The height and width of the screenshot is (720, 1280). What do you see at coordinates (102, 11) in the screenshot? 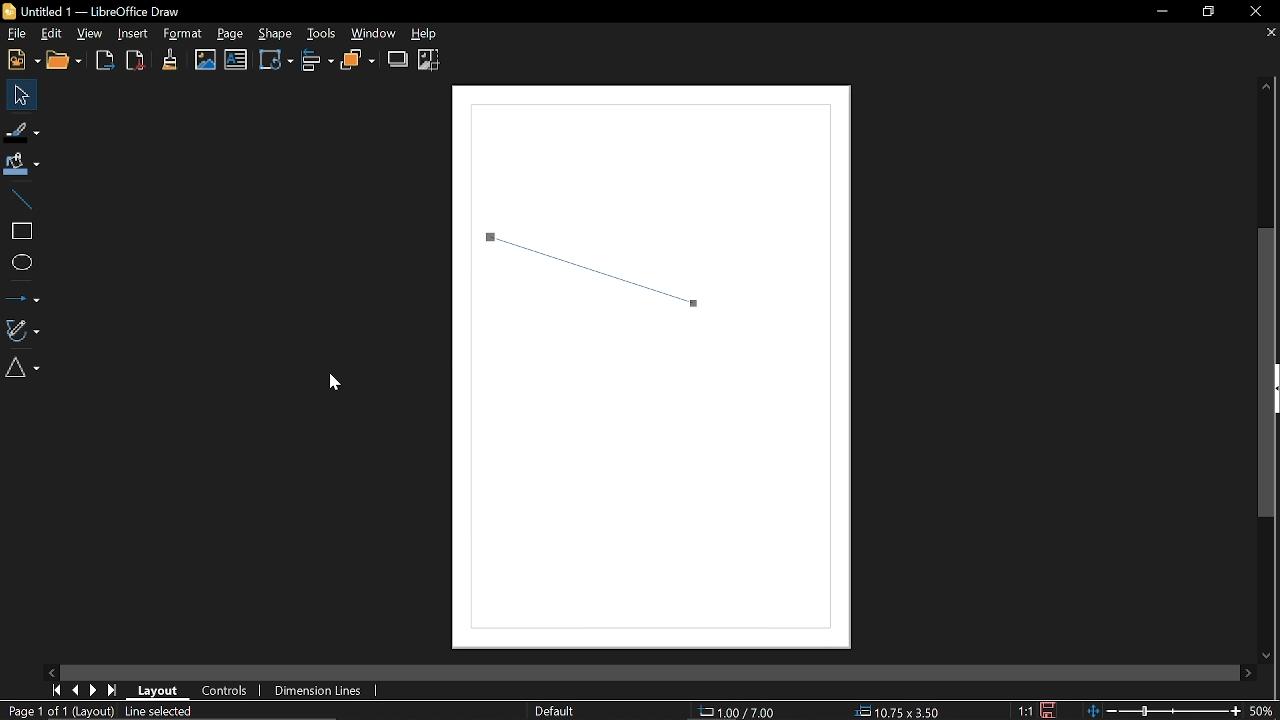
I see `Current window` at bounding box center [102, 11].